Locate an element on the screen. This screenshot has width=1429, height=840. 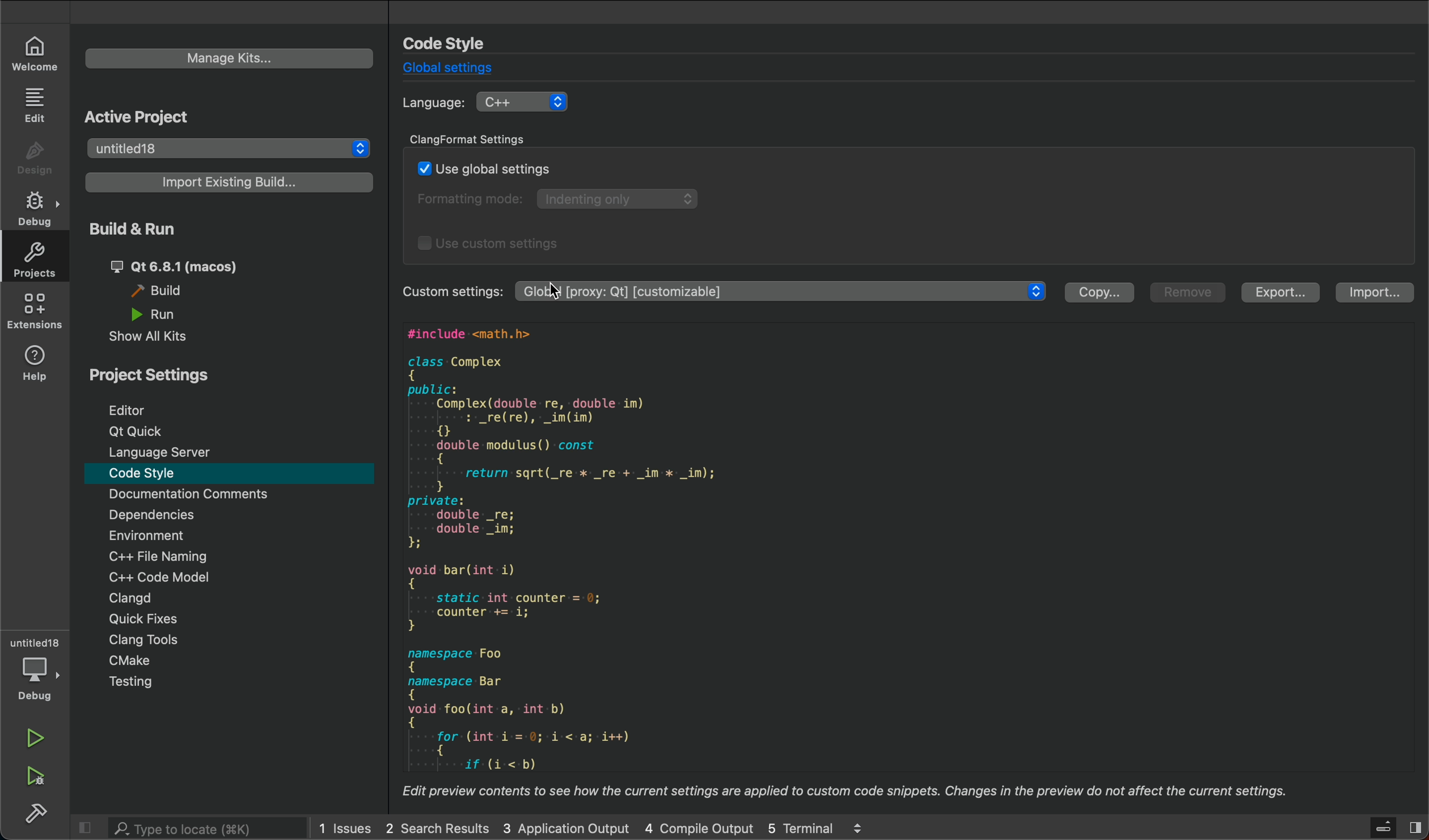
close sidebar is located at coordinates (1397, 827).